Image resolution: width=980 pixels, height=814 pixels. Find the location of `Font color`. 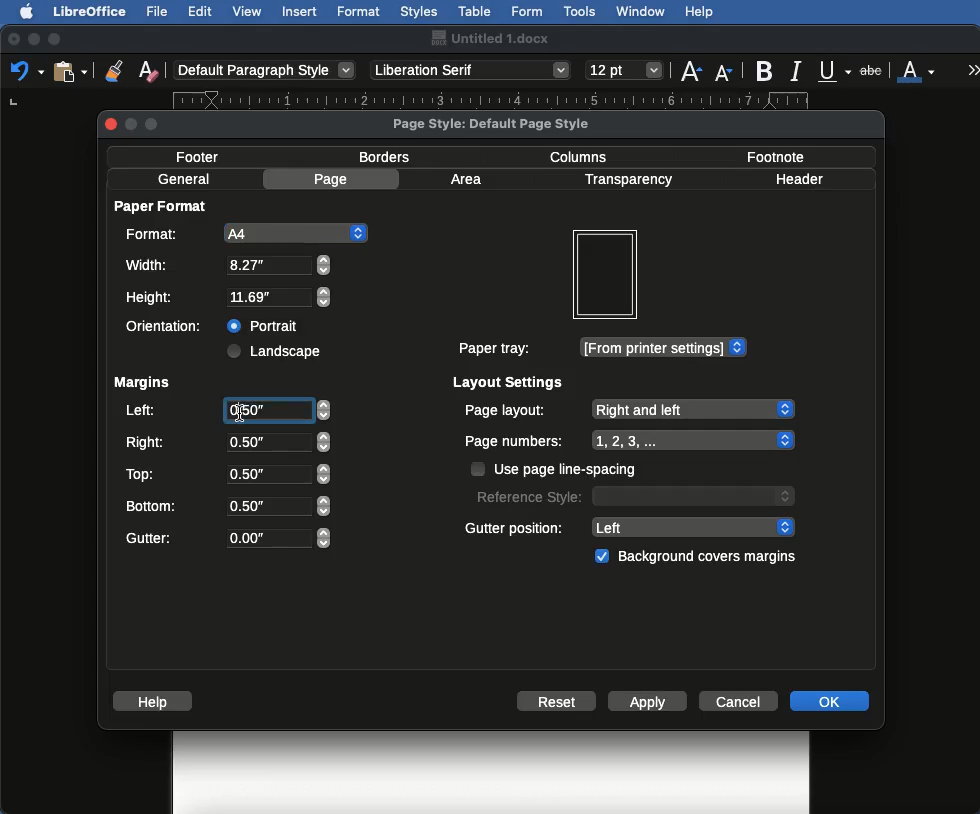

Font color is located at coordinates (917, 69).